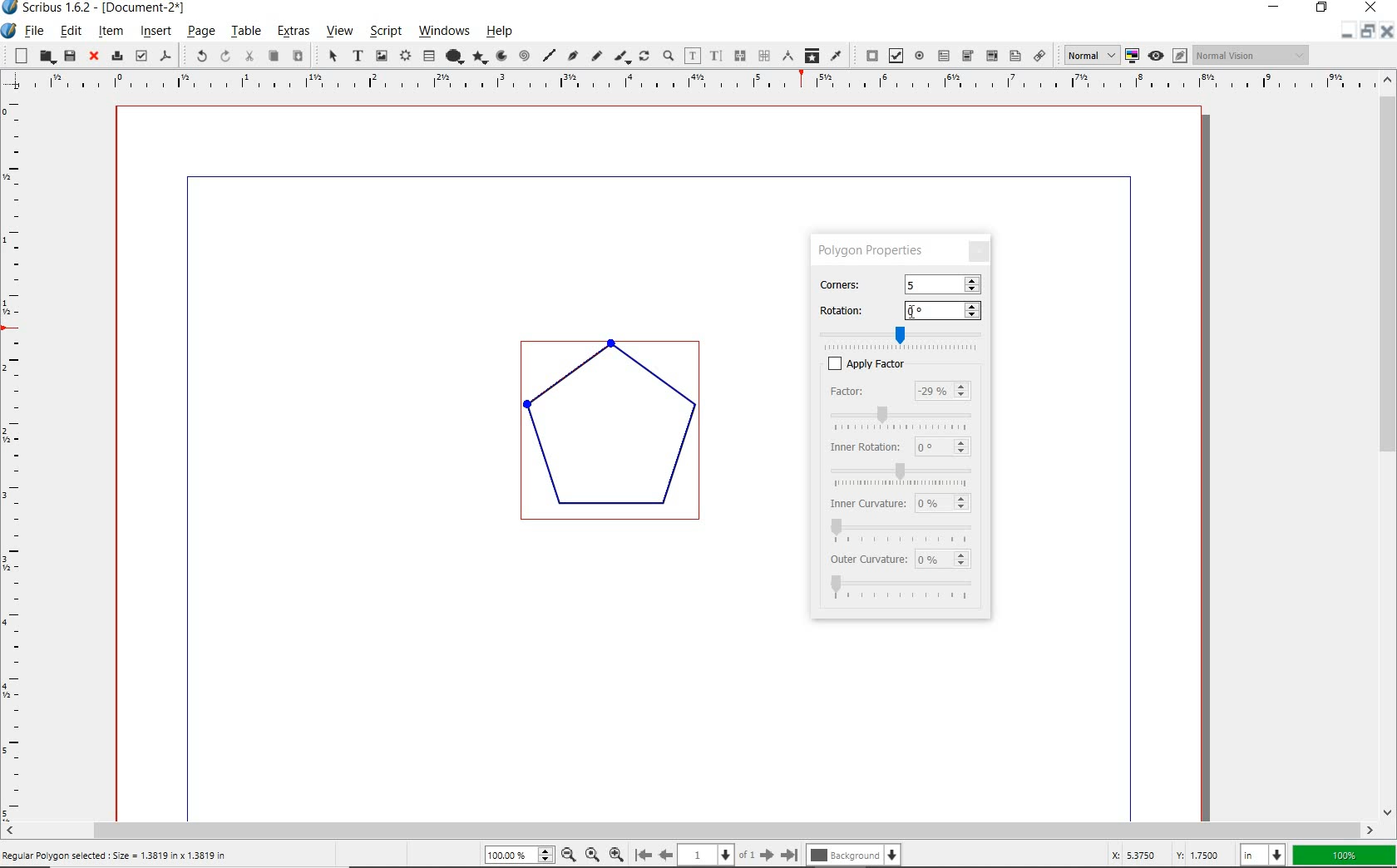  What do you see at coordinates (1385, 31) in the screenshot?
I see `close document` at bounding box center [1385, 31].